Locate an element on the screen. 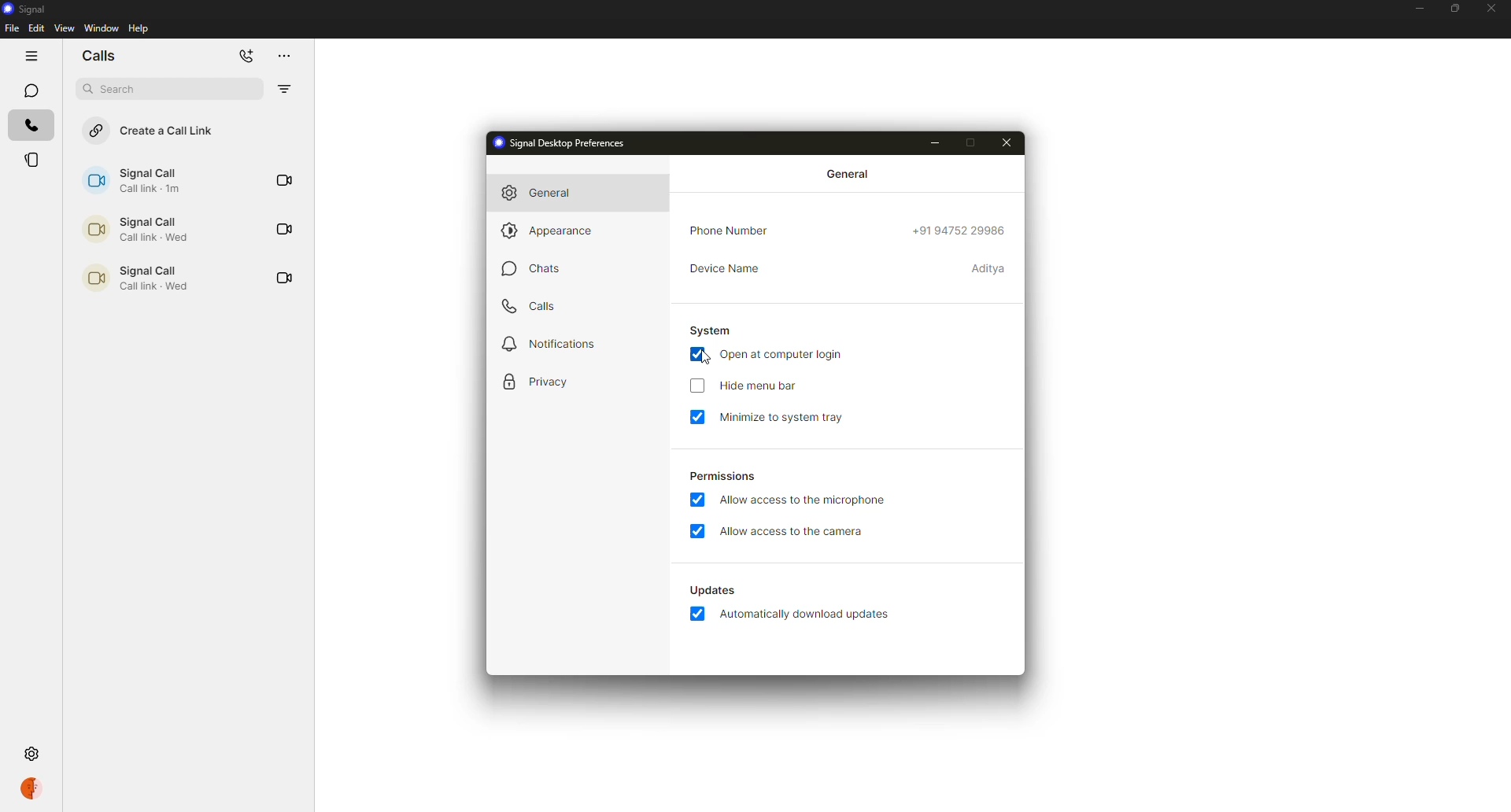  device name is located at coordinates (726, 268).